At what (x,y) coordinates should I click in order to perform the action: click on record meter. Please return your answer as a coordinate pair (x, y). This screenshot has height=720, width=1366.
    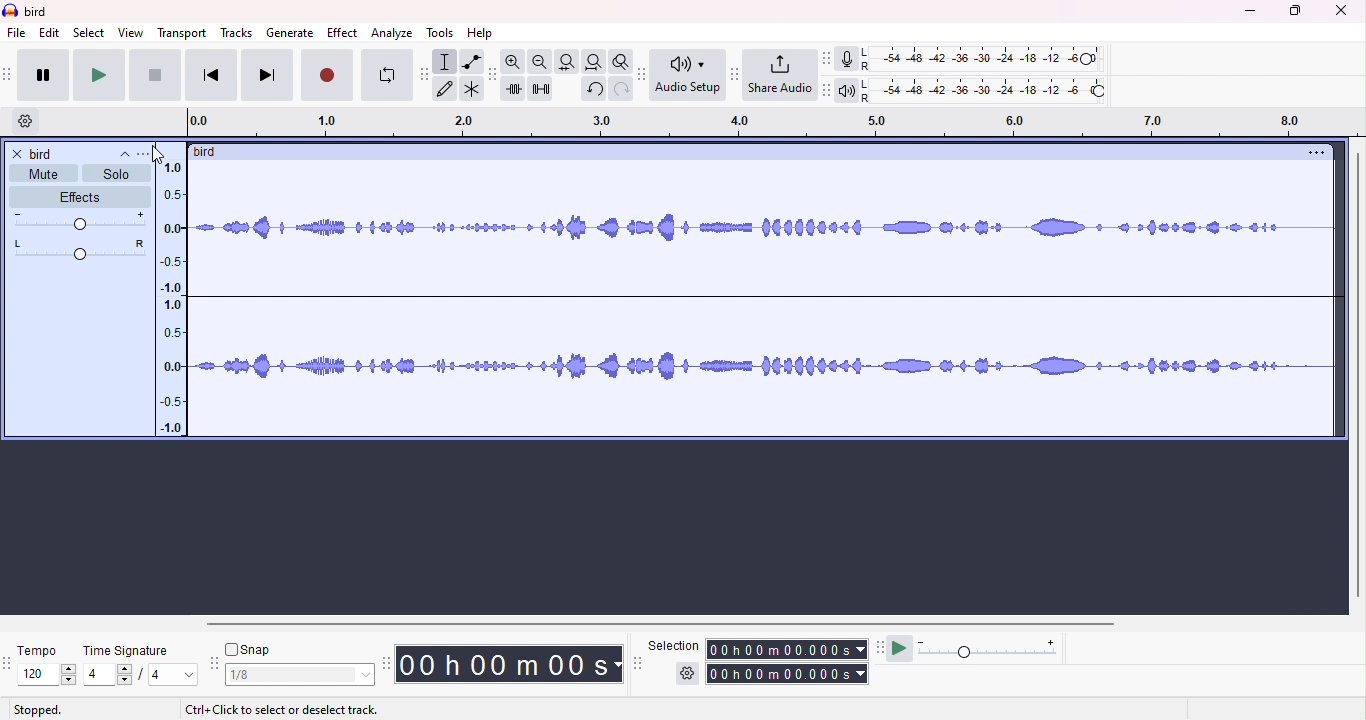
    Looking at the image, I should click on (849, 59).